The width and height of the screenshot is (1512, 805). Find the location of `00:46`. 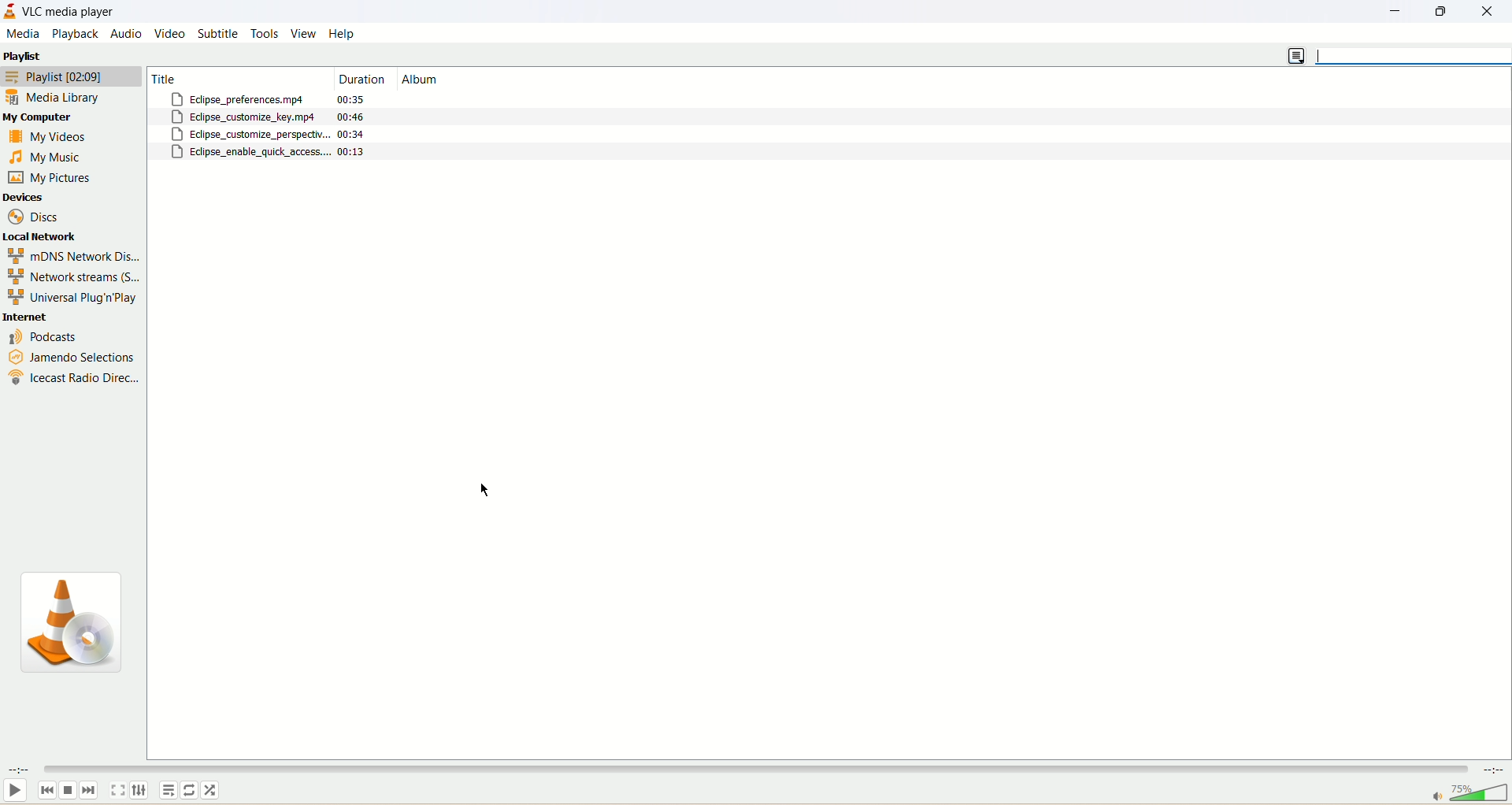

00:46 is located at coordinates (354, 117).